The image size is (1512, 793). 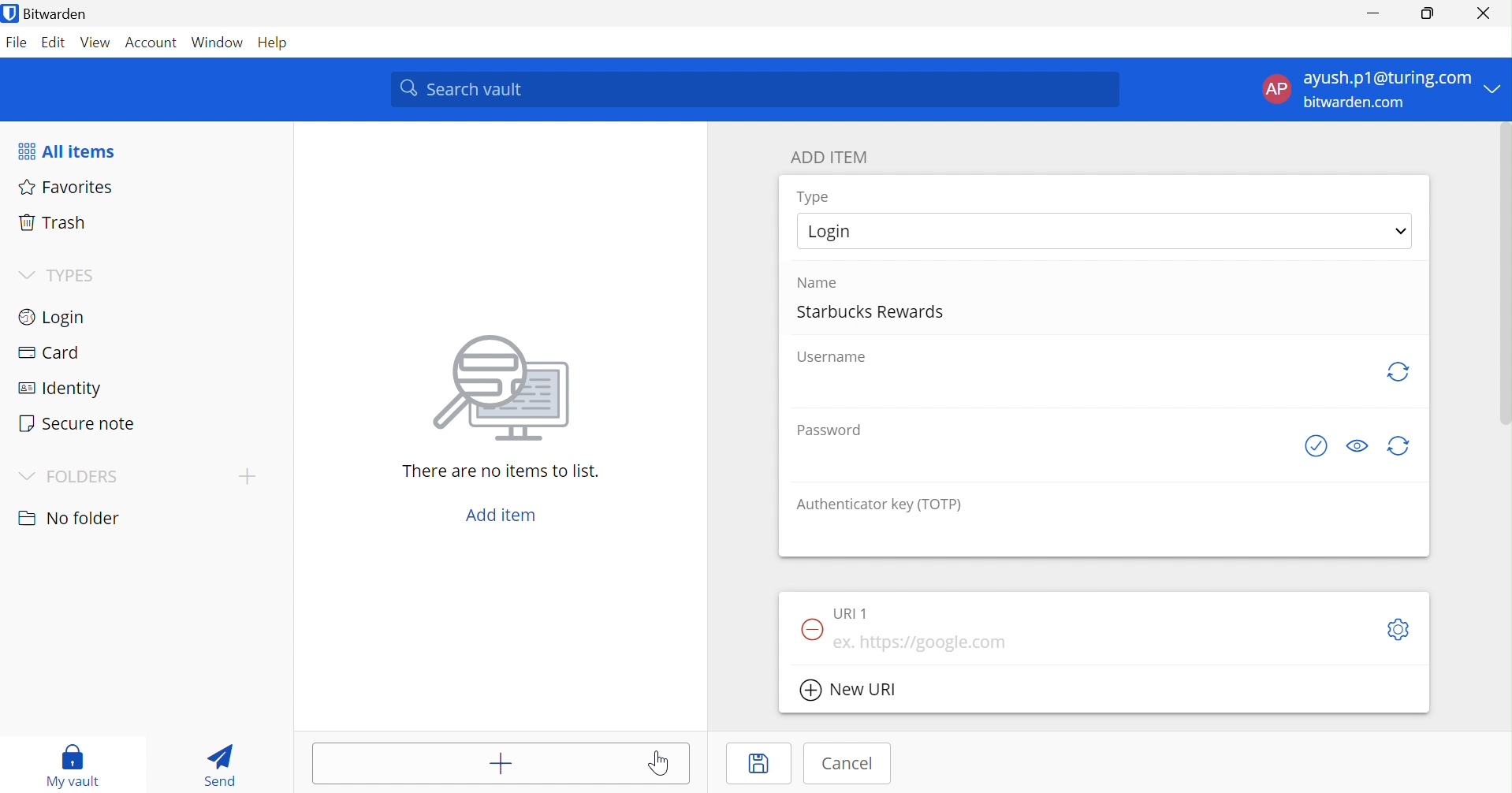 What do you see at coordinates (505, 390) in the screenshot?
I see `Image` at bounding box center [505, 390].